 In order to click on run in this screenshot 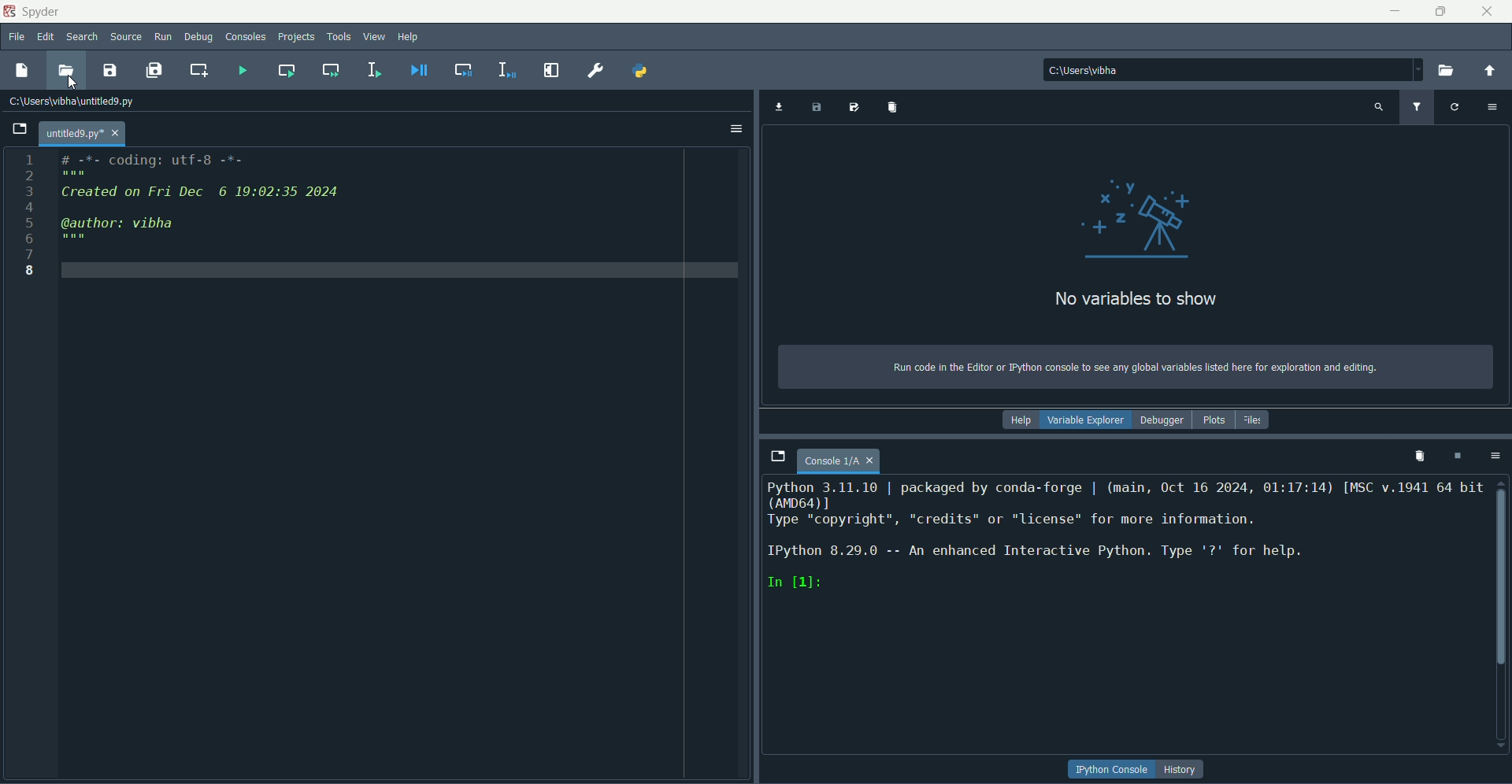, I will do `click(165, 37)`.